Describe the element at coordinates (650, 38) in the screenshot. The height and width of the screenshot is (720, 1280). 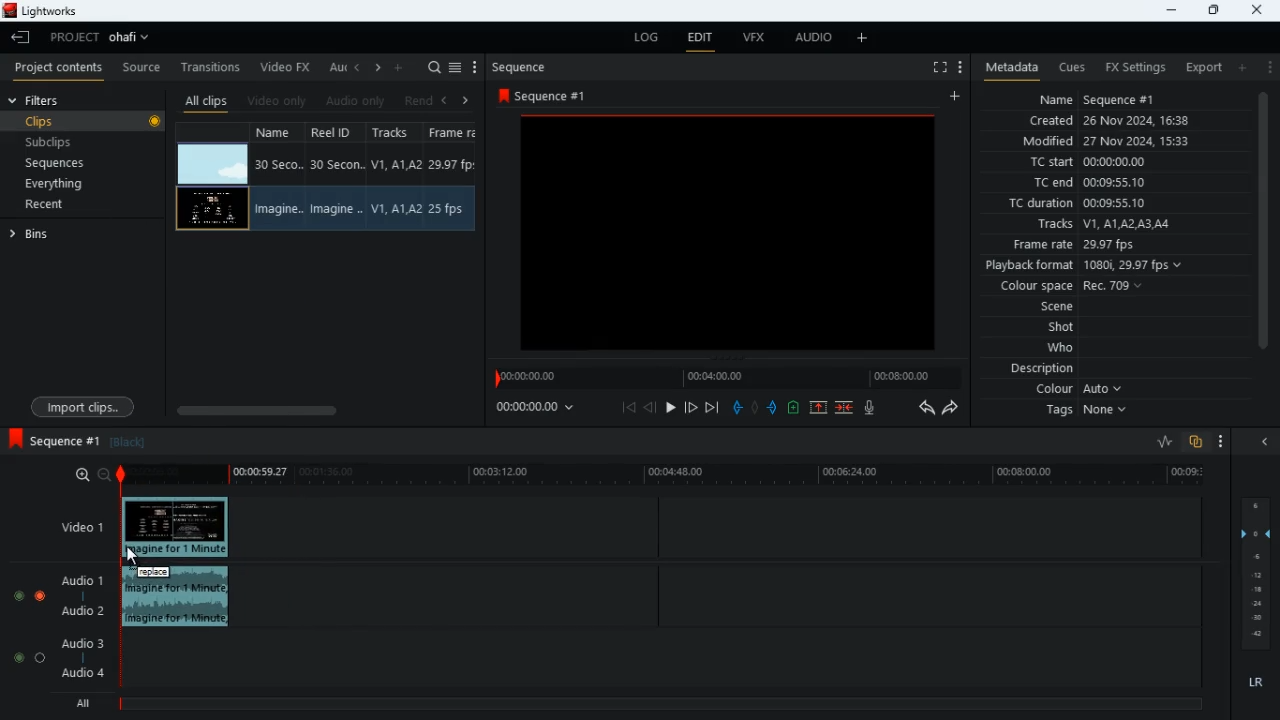
I see `log` at that location.